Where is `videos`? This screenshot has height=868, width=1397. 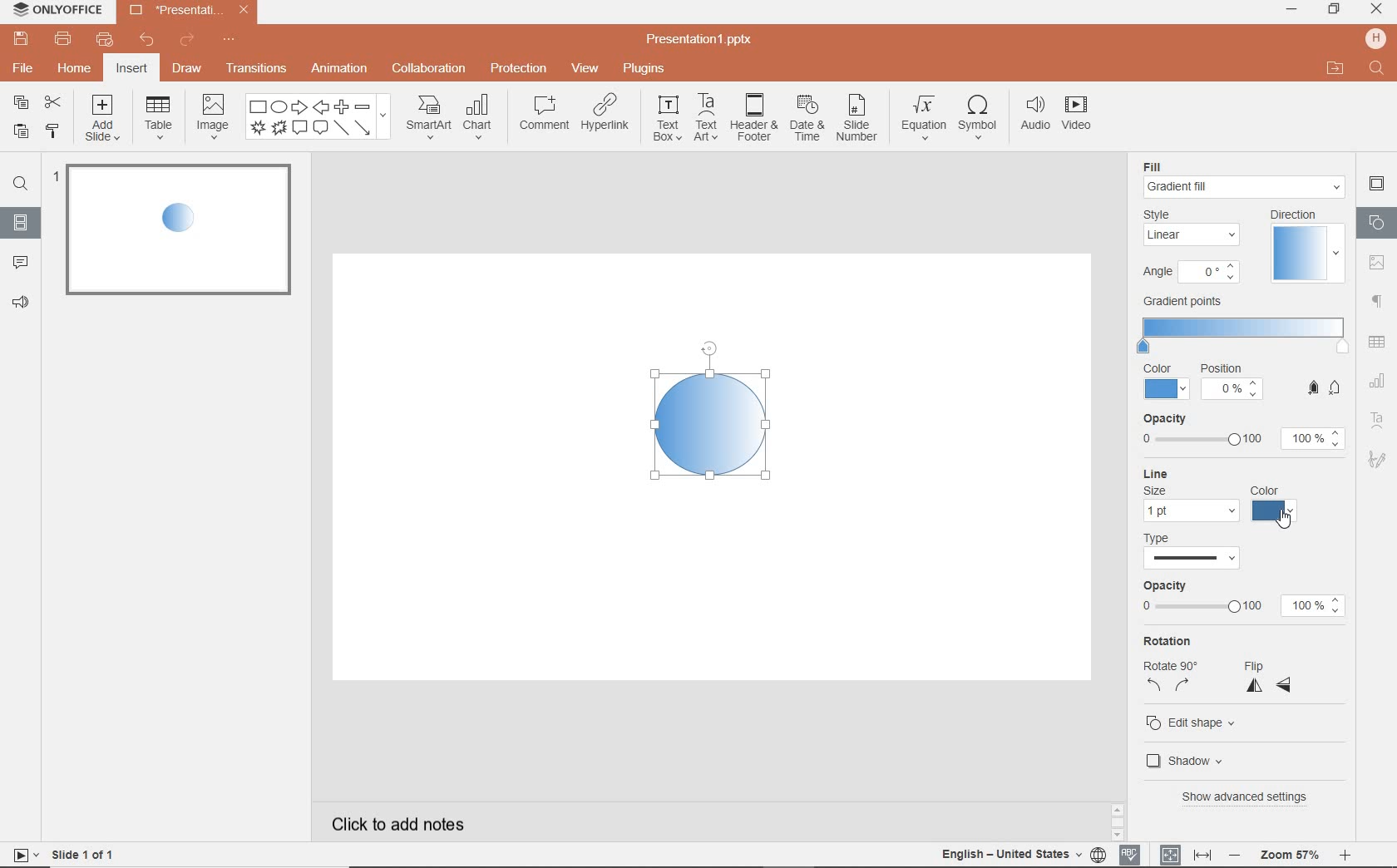 videos is located at coordinates (1079, 115).